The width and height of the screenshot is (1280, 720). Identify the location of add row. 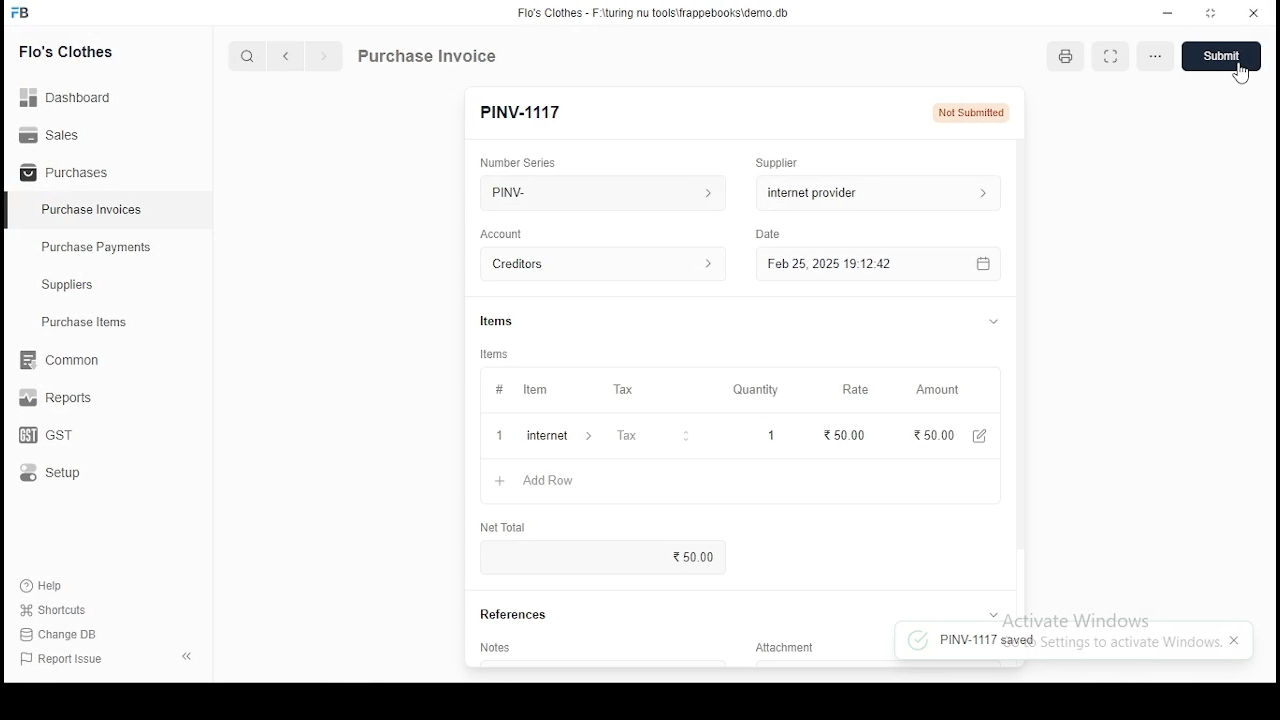
(551, 436).